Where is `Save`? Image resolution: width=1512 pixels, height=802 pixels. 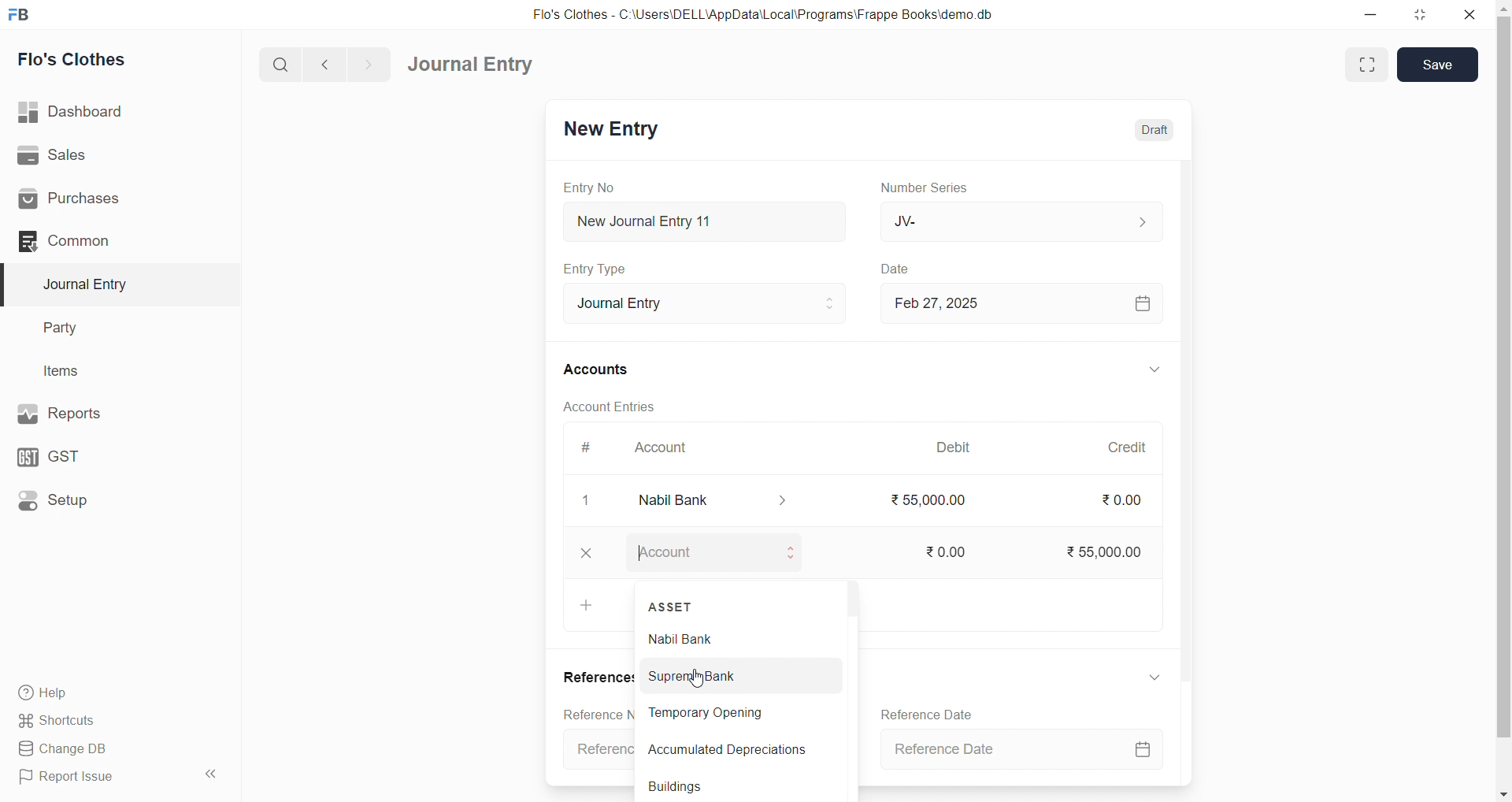
Save is located at coordinates (1440, 64).